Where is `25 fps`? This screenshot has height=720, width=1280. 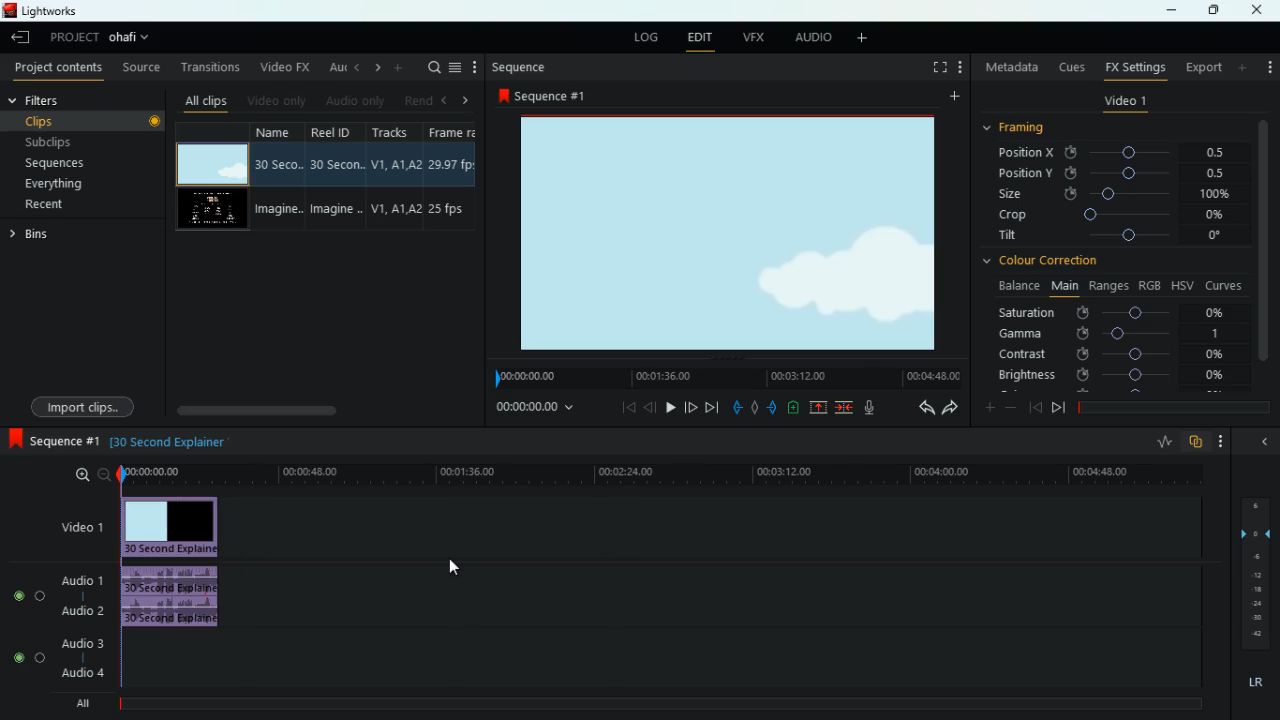 25 fps is located at coordinates (452, 208).